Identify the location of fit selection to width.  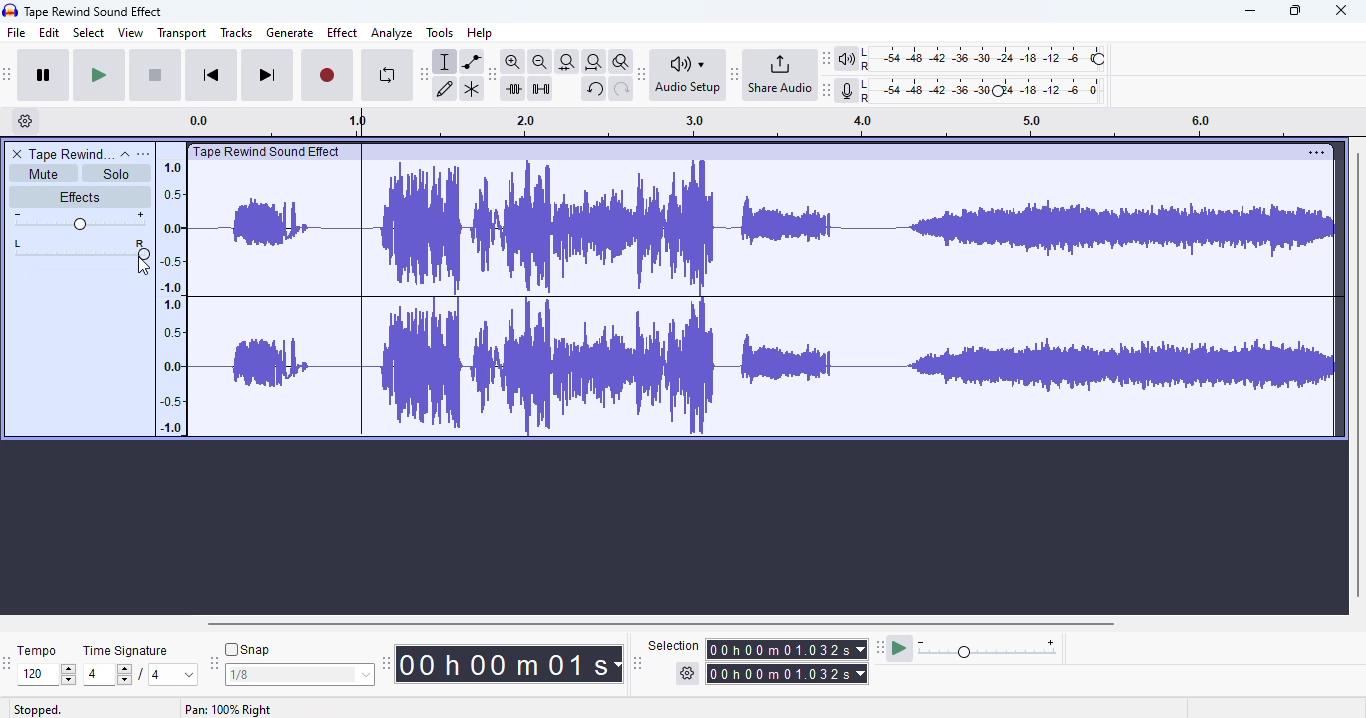
(567, 63).